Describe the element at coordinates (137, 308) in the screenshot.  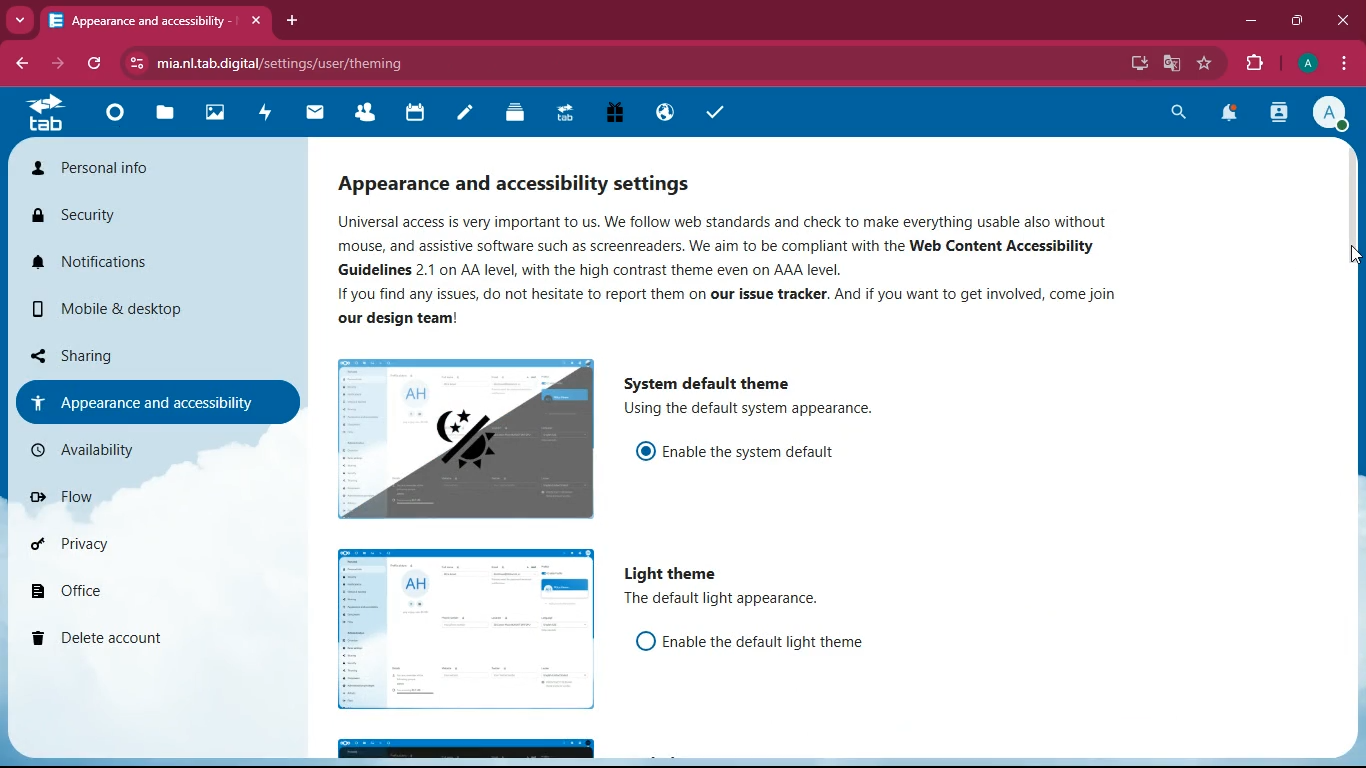
I see `mobile` at that location.